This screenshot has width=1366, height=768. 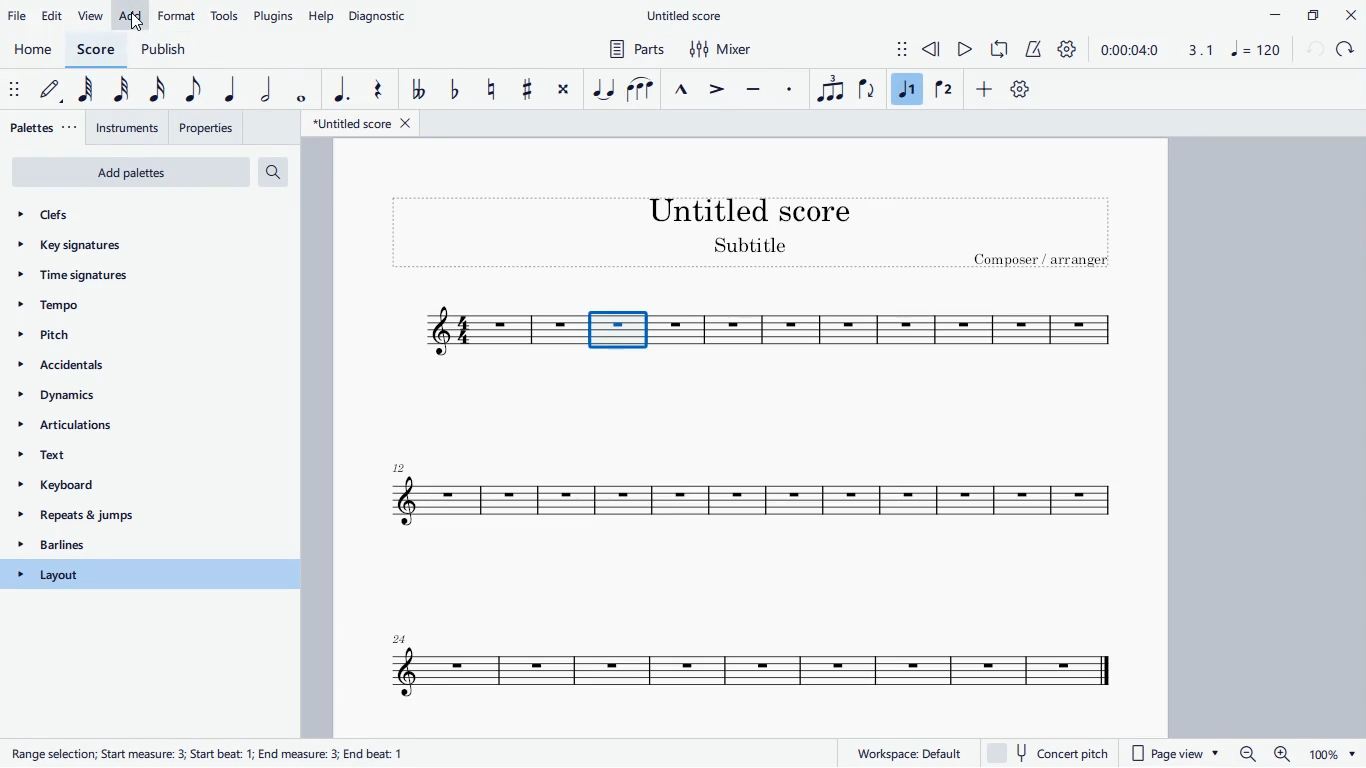 What do you see at coordinates (1045, 262) in the screenshot?
I see `composer / arranger` at bounding box center [1045, 262].